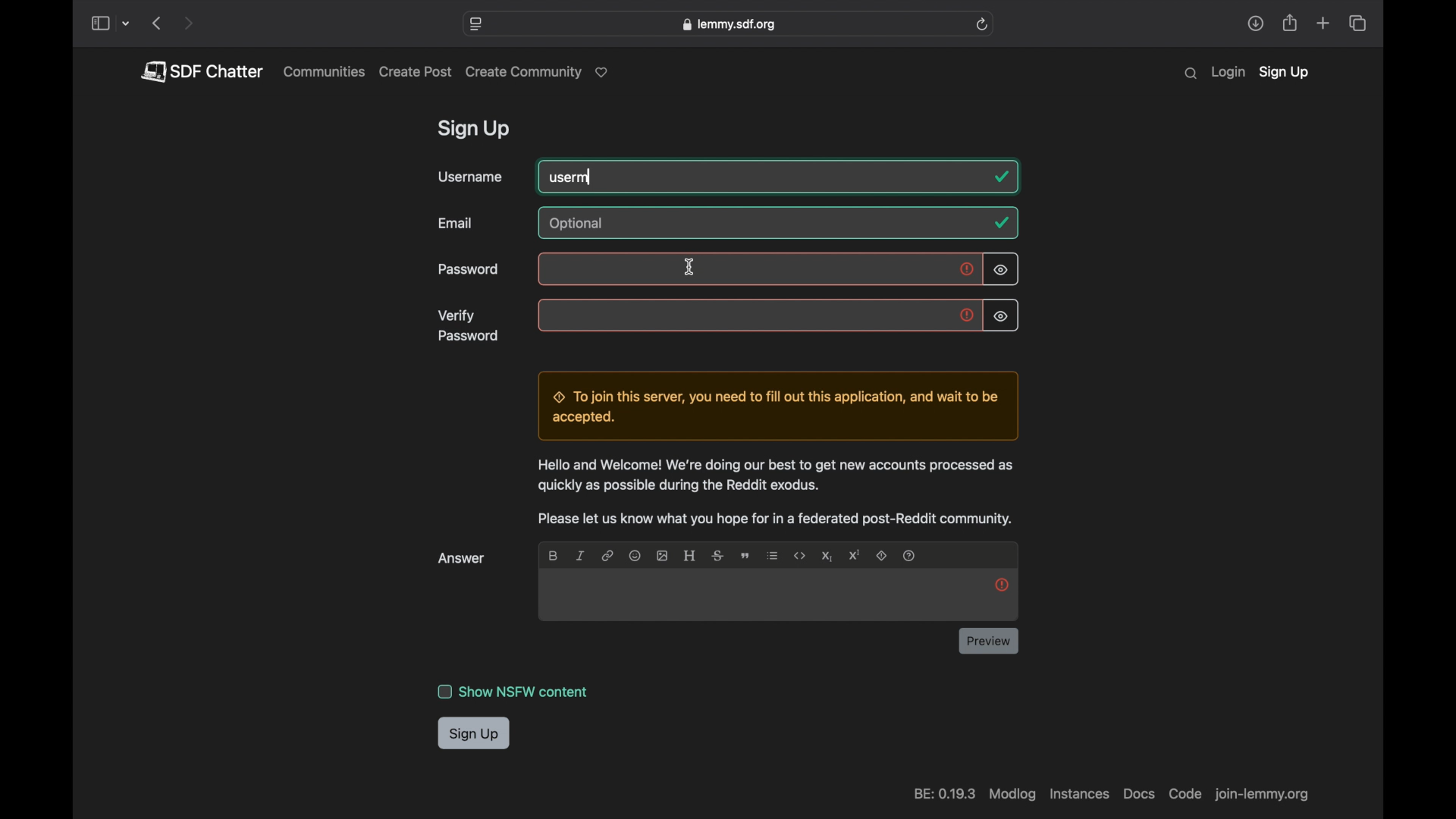 The width and height of the screenshot is (1456, 819). What do you see at coordinates (1284, 74) in the screenshot?
I see `sign up` at bounding box center [1284, 74].